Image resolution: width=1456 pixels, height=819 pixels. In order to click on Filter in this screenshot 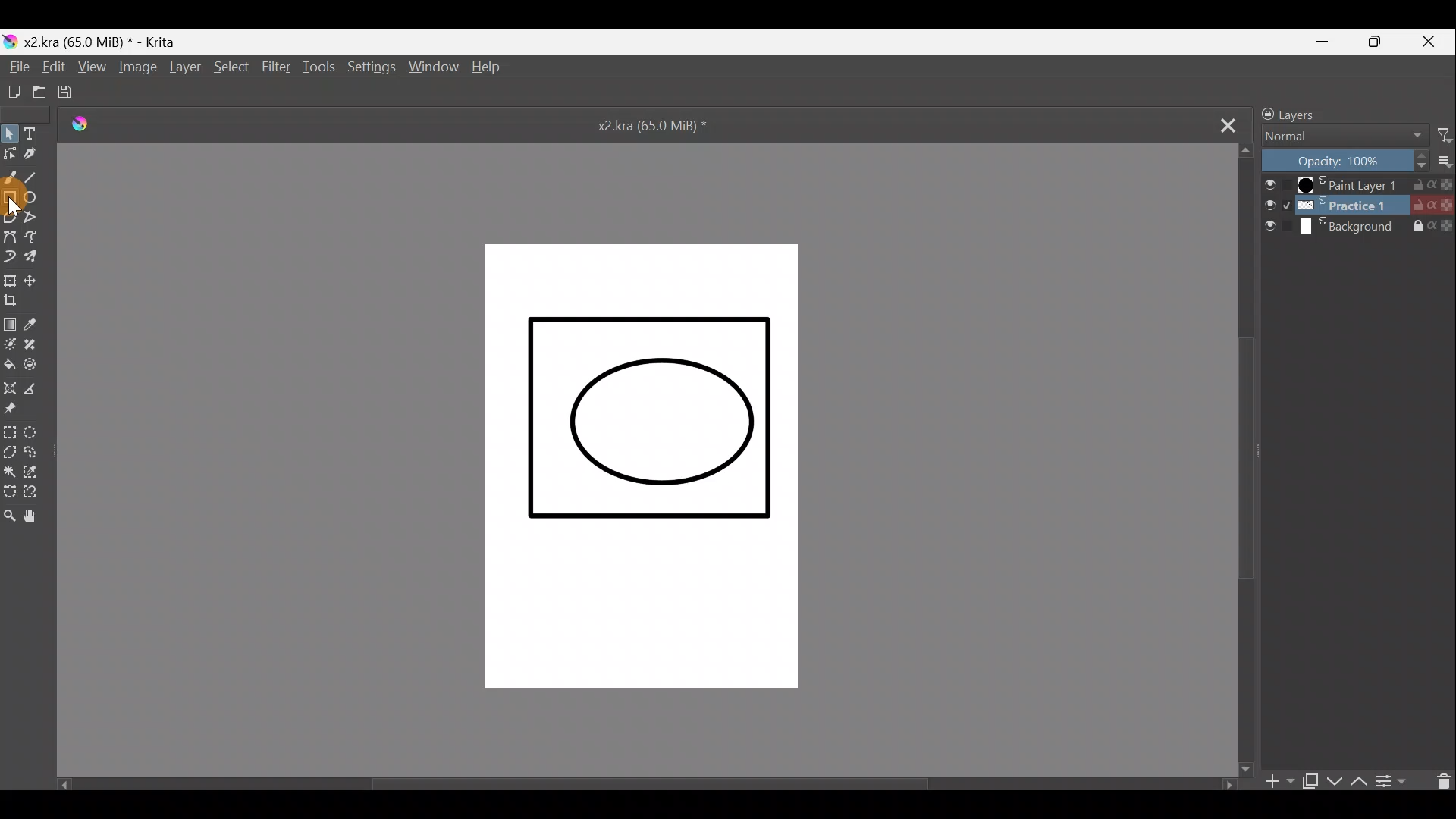, I will do `click(1445, 133)`.